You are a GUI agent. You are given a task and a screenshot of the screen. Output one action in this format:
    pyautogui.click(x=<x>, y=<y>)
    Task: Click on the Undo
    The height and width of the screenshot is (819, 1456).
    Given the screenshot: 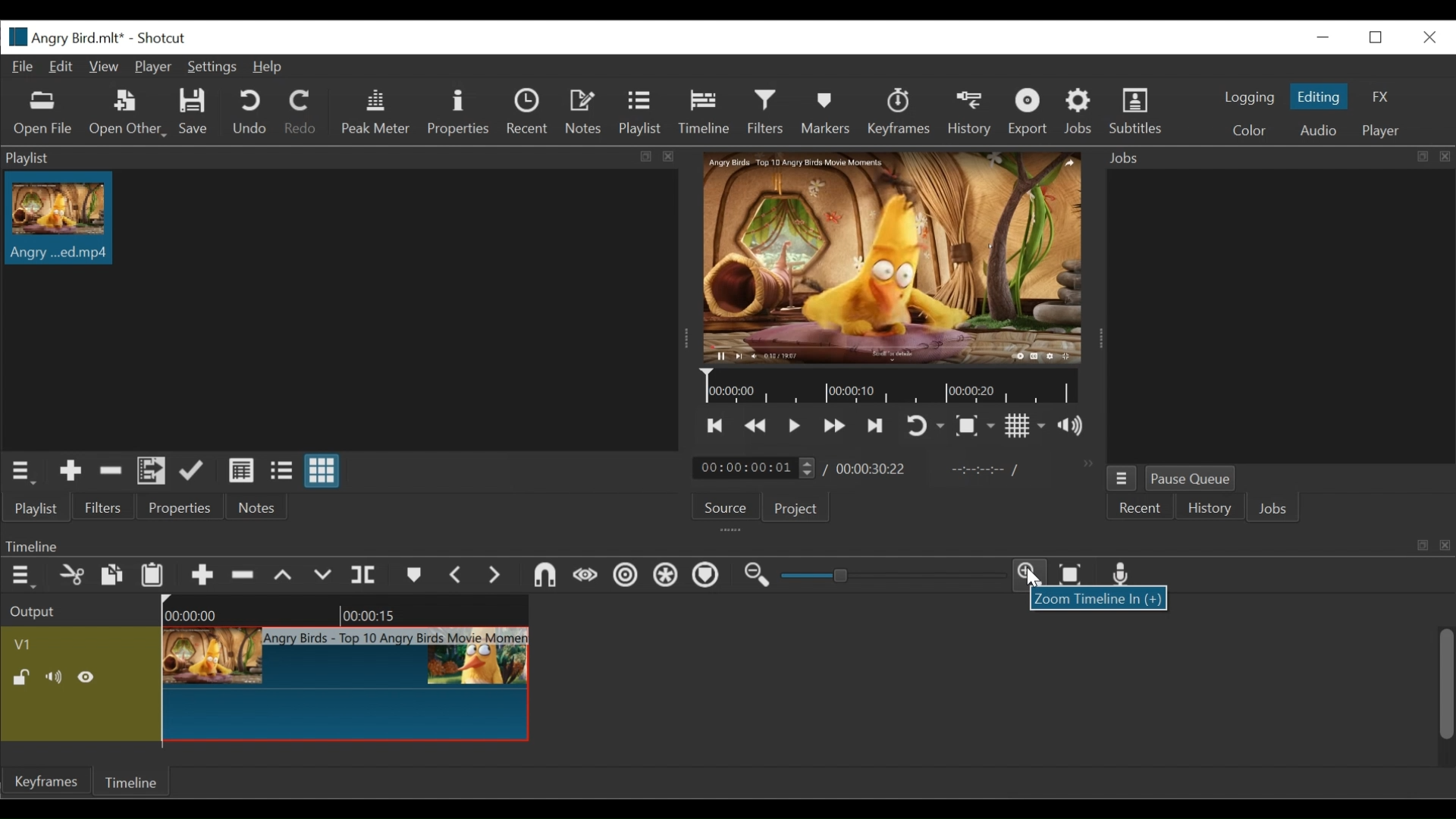 What is the action you would take?
    pyautogui.click(x=249, y=113)
    